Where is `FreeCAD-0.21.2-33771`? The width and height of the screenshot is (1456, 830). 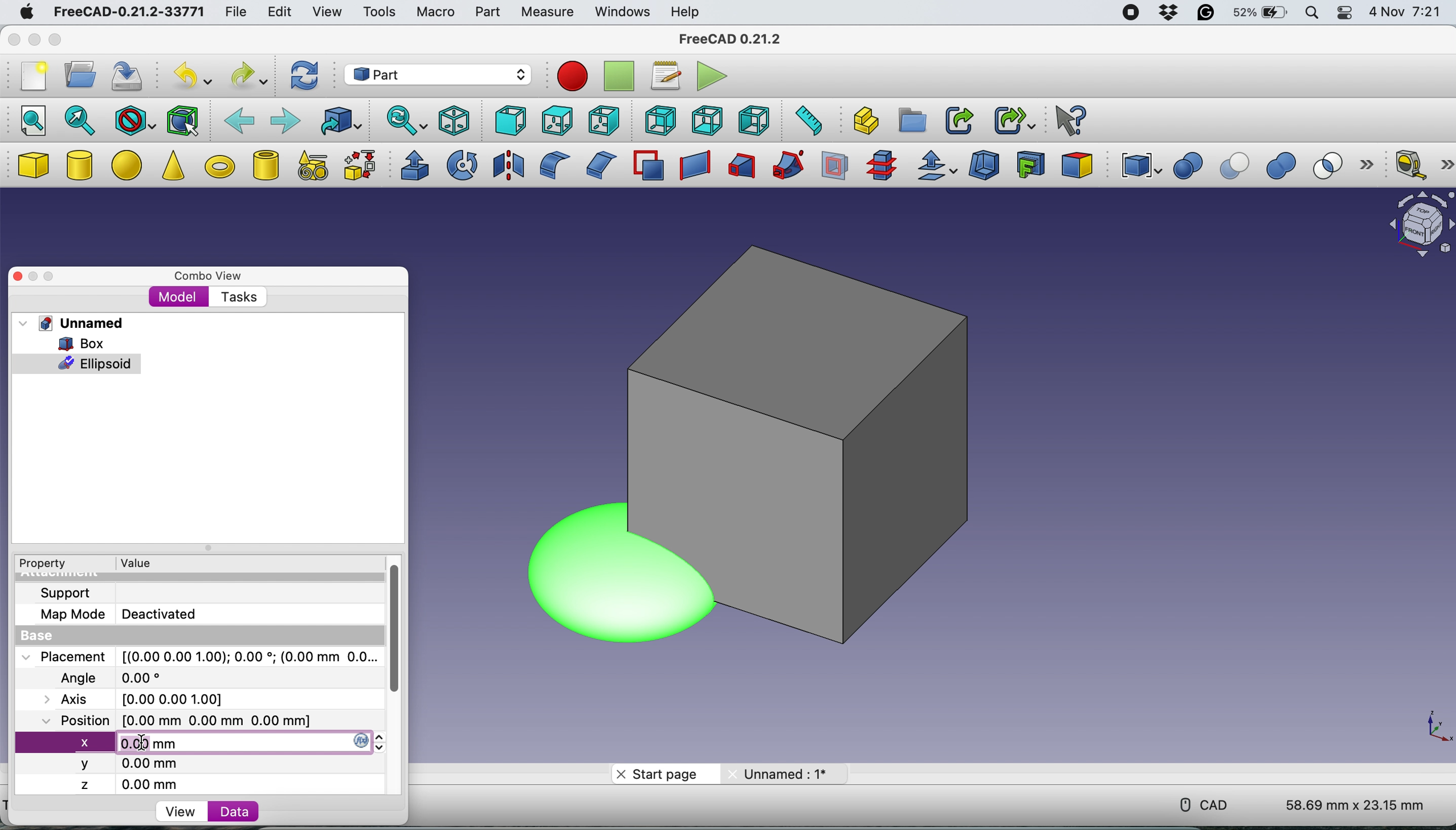 FreeCAD-0.21.2-33771 is located at coordinates (127, 13).